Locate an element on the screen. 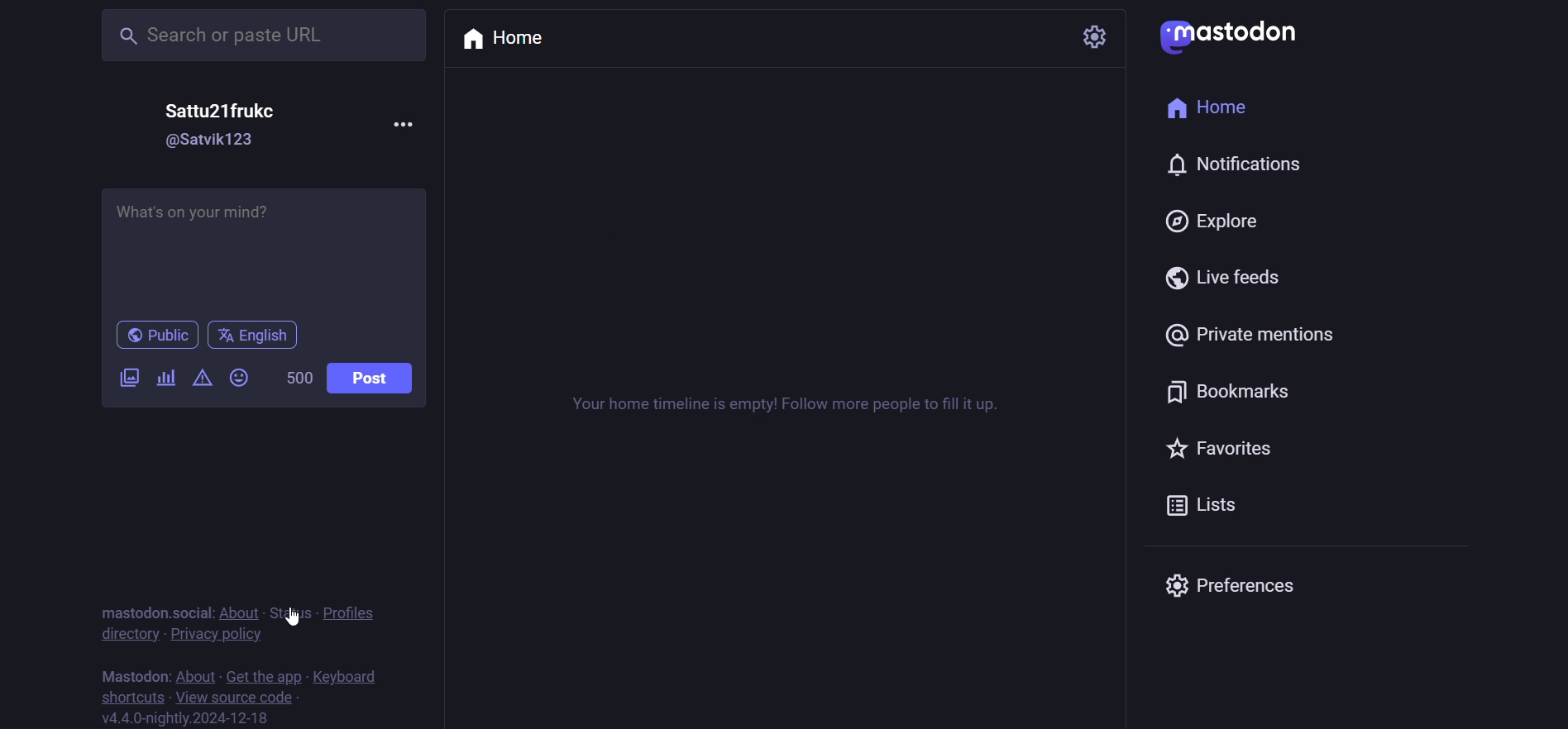  id is located at coordinates (208, 144).